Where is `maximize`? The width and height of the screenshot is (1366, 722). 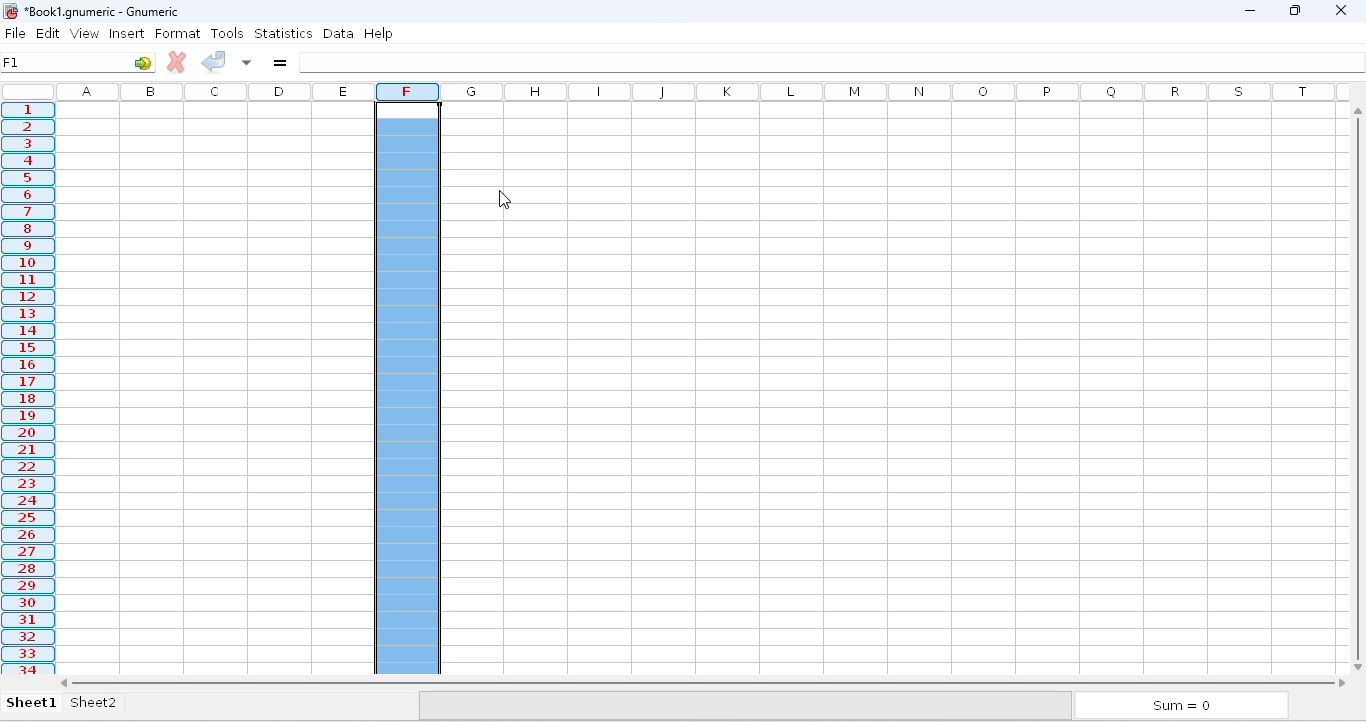
maximize is located at coordinates (1294, 10).